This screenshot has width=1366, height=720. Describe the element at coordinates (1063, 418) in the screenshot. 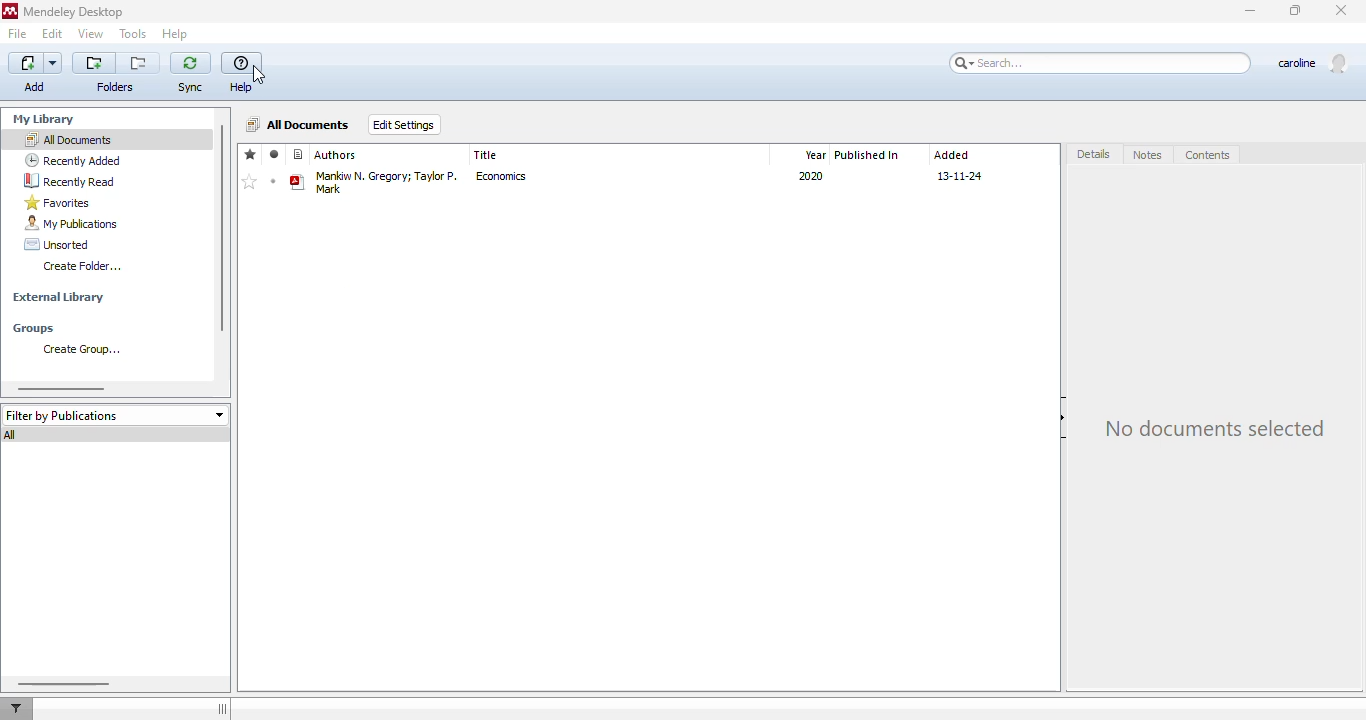

I see `hide` at that location.